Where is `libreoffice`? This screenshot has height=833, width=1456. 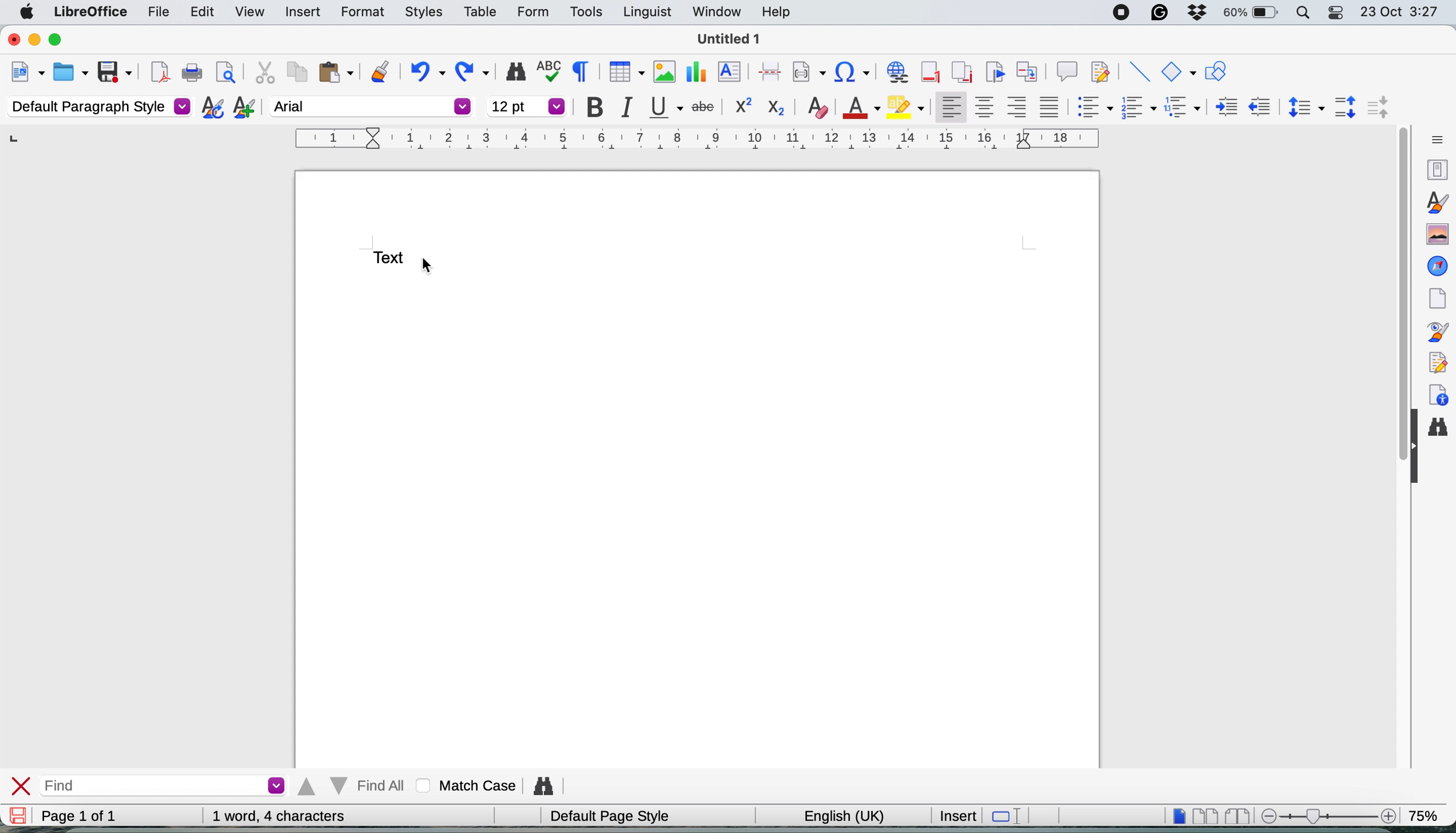
libreoffice is located at coordinates (88, 14).